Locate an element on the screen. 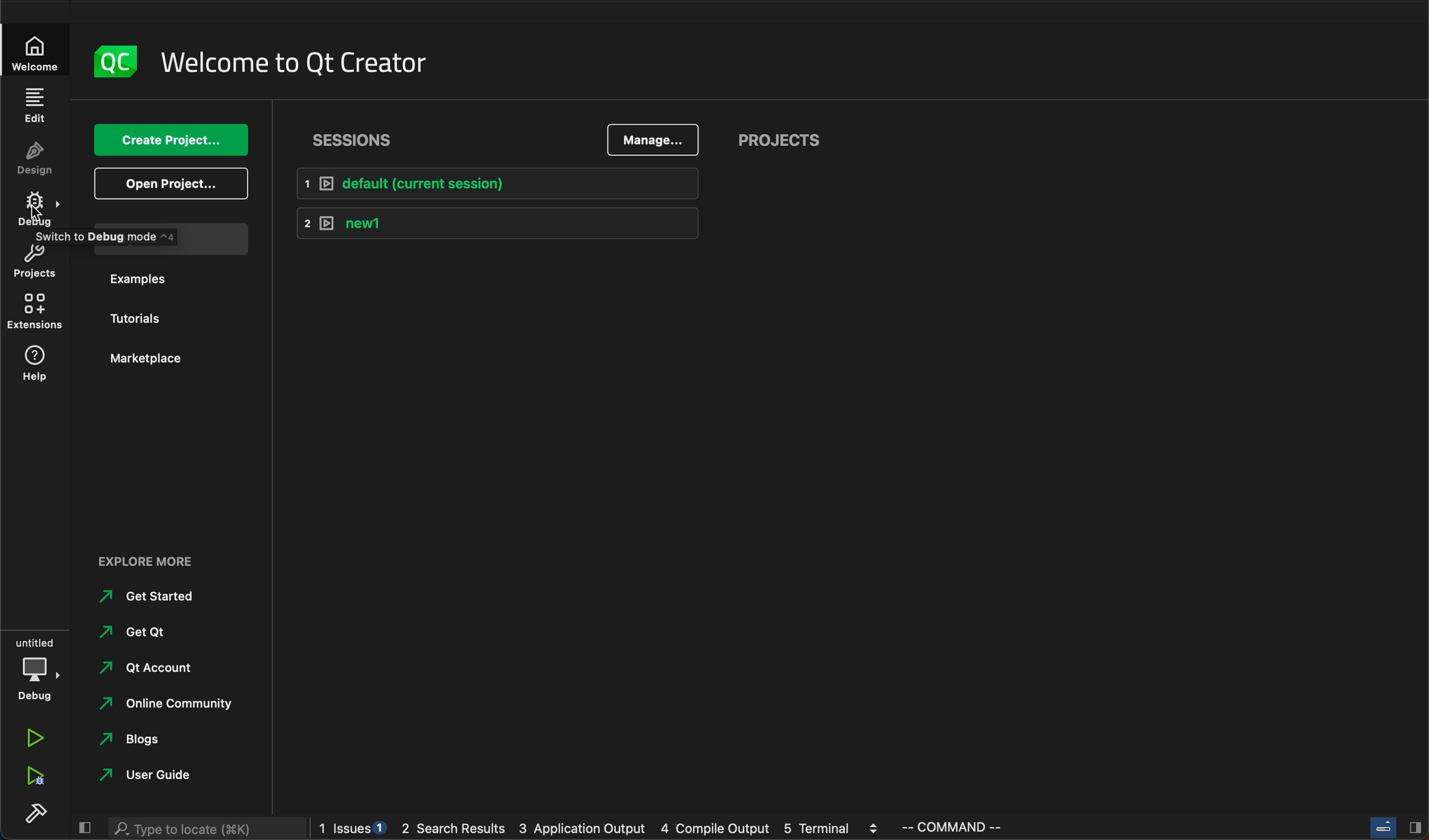  started is located at coordinates (147, 596).